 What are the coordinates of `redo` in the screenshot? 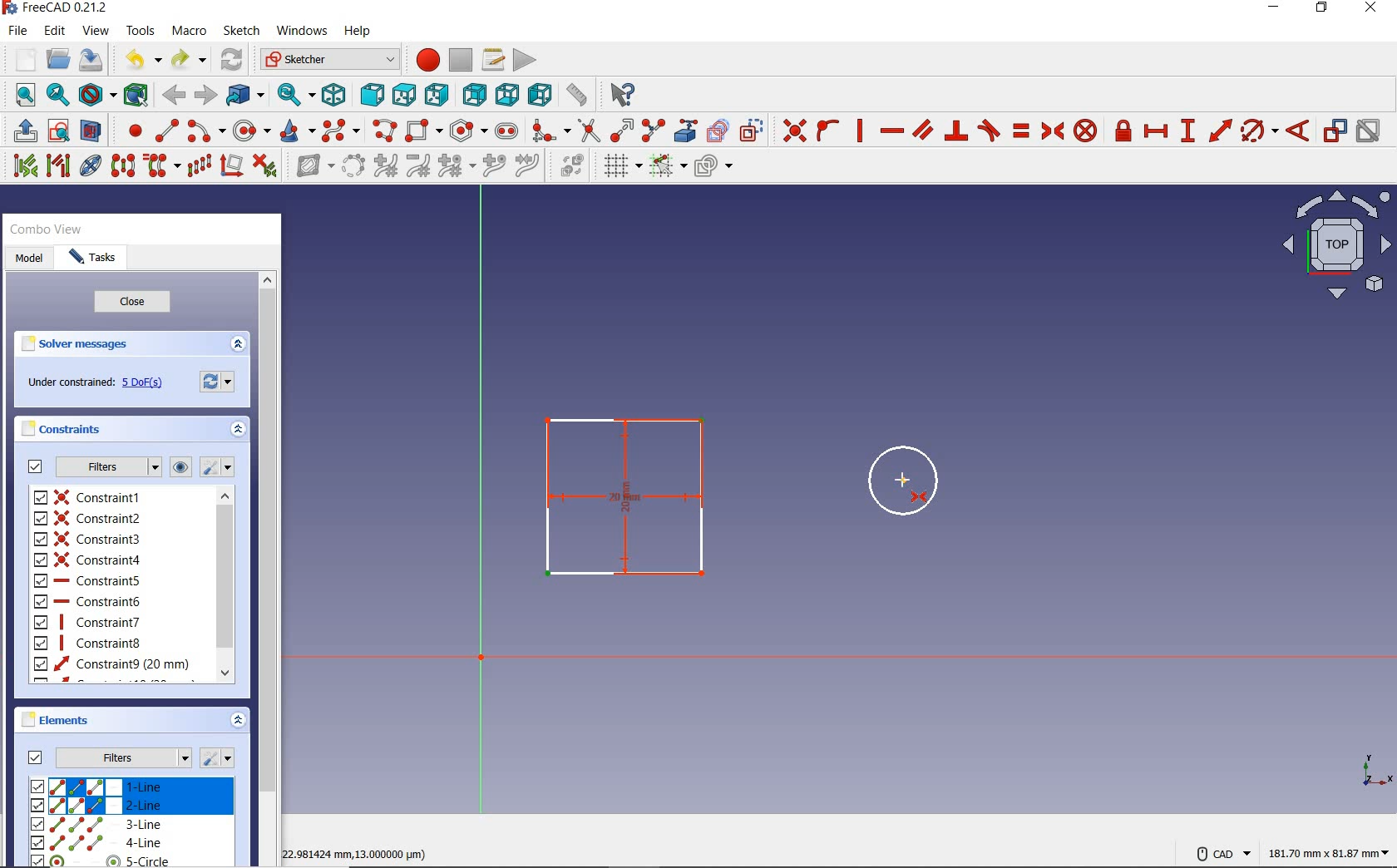 It's located at (189, 59).